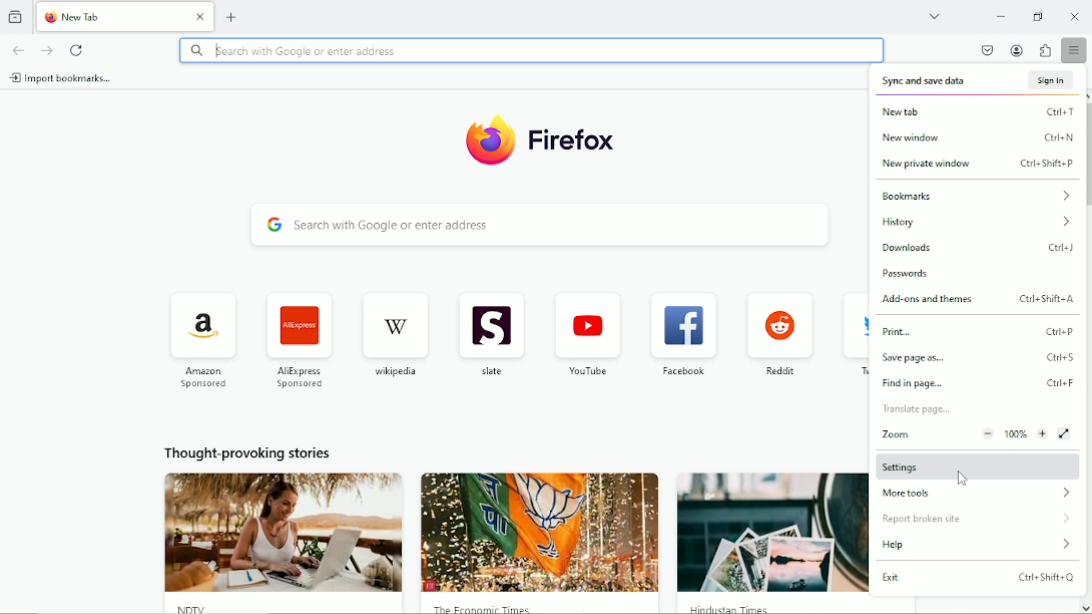  What do you see at coordinates (976, 468) in the screenshot?
I see `settings` at bounding box center [976, 468].